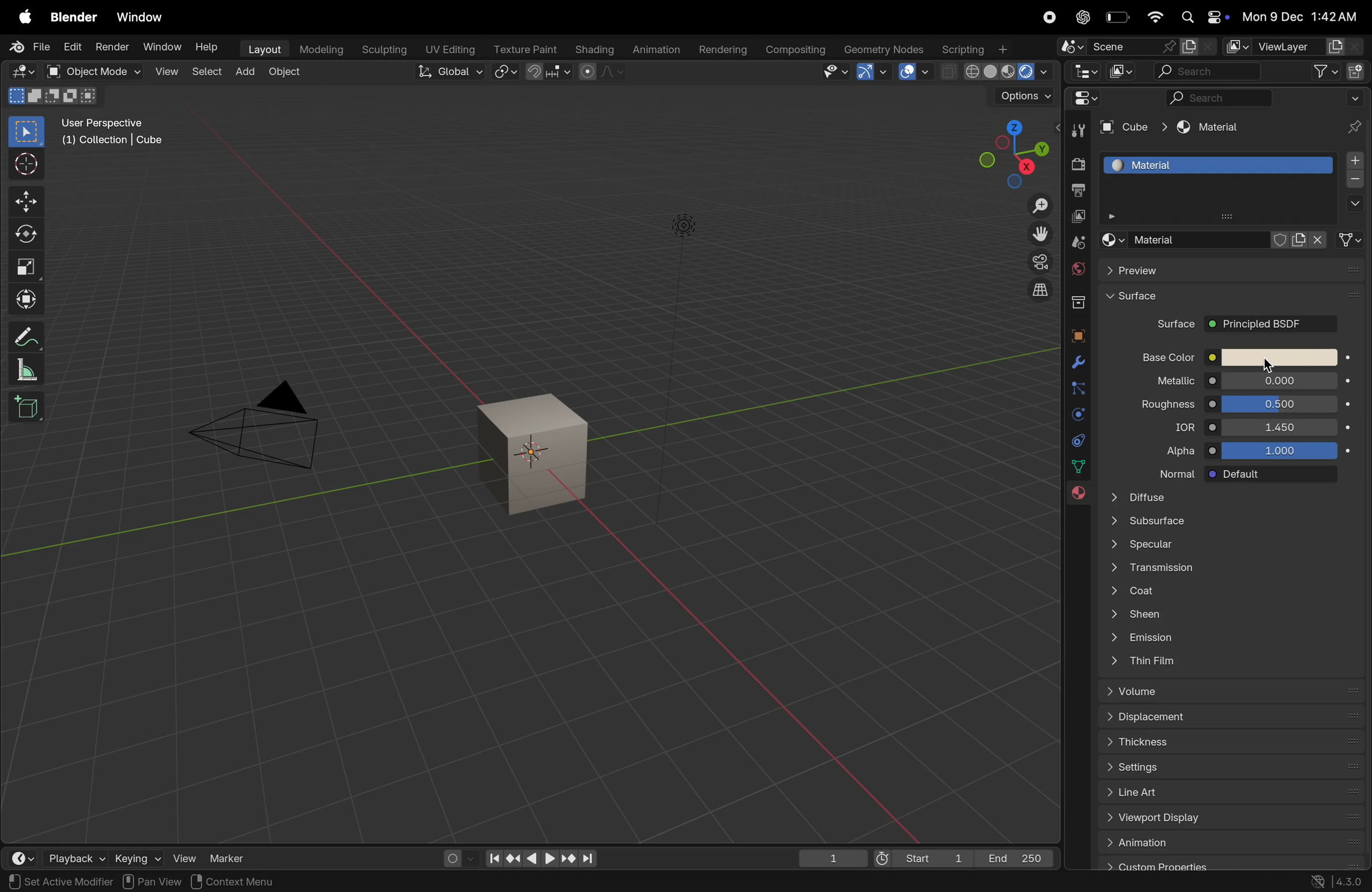 The width and height of the screenshot is (1372, 892). What do you see at coordinates (1293, 46) in the screenshot?
I see `ViewLayer` at bounding box center [1293, 46].